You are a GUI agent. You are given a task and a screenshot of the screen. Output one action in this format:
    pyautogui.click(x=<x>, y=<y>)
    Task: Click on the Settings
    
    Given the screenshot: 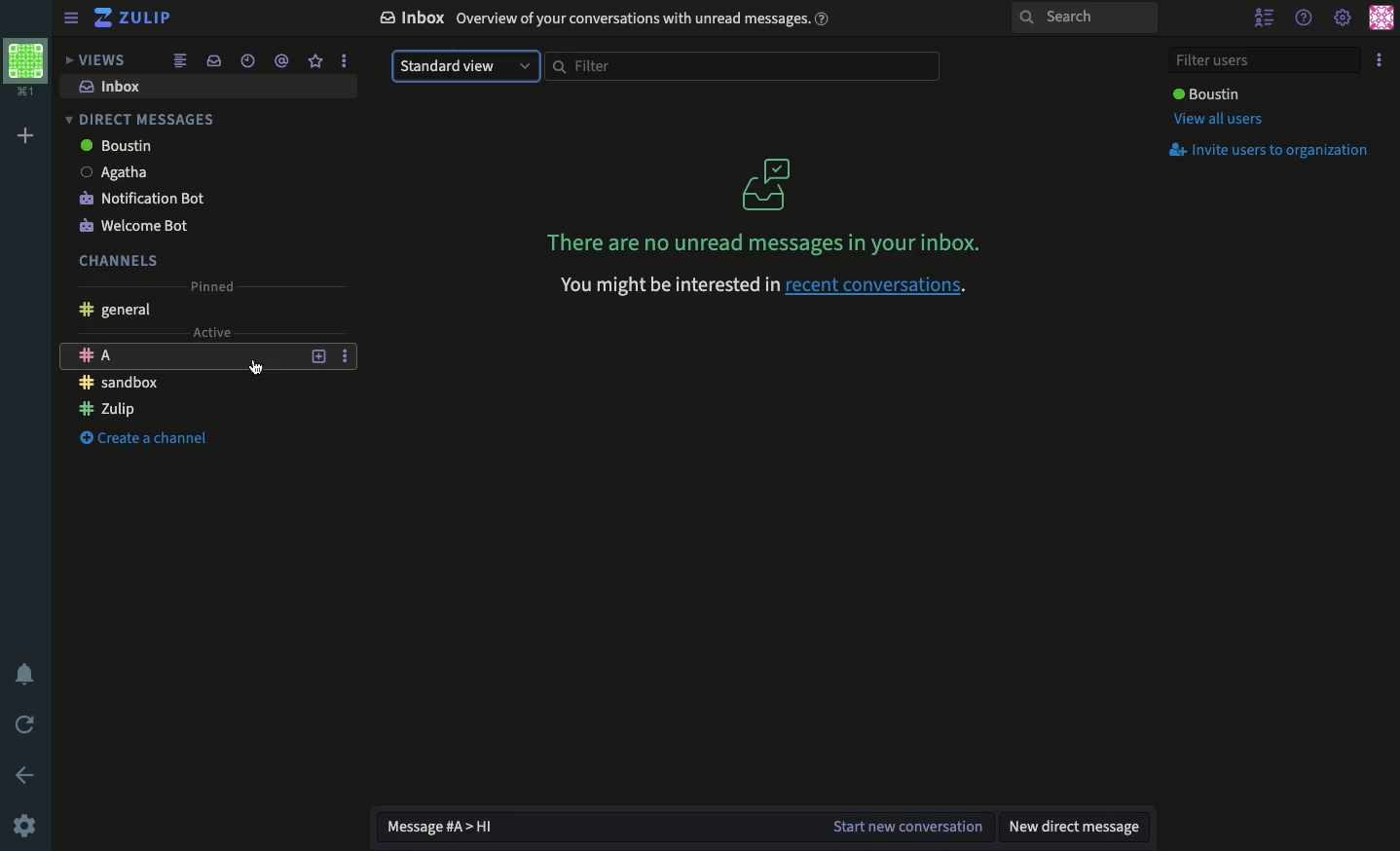 What is the action you would take?
    pyautogui.click(x=24, y=825)
    